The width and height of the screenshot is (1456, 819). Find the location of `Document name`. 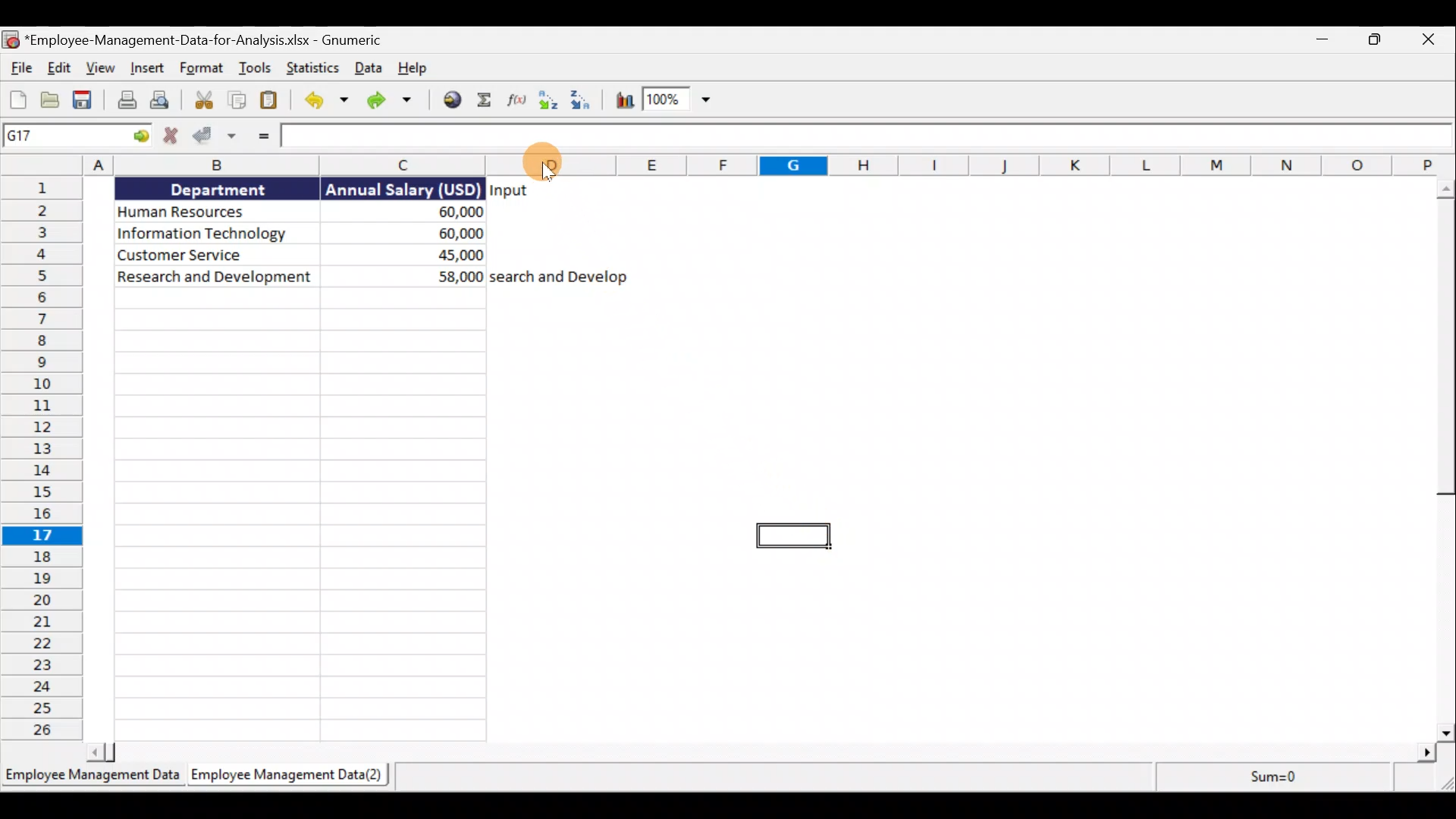

Document name is located at coordinates (197, 37).